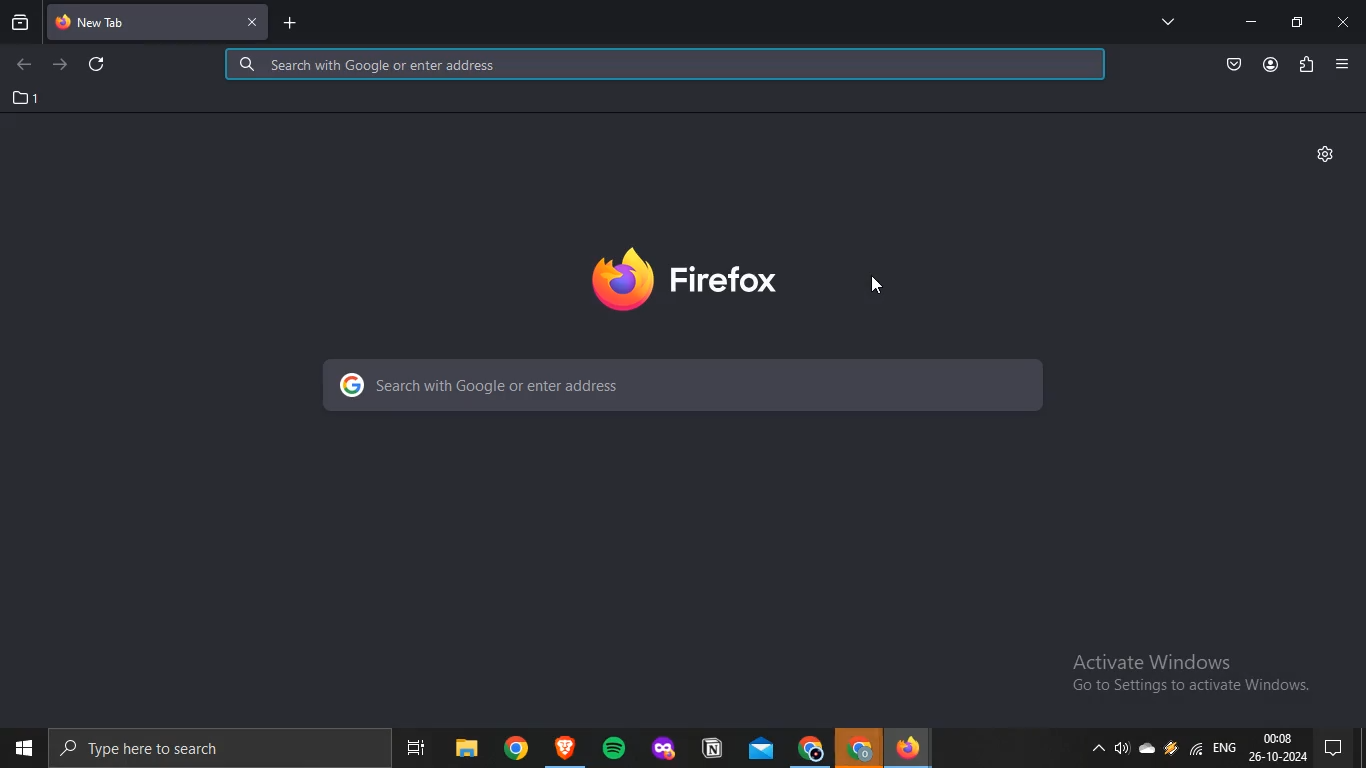  What do you see at coordinates (1120, 750) in the screenshot?
I see `sound` at bounding box center [1120, 750].